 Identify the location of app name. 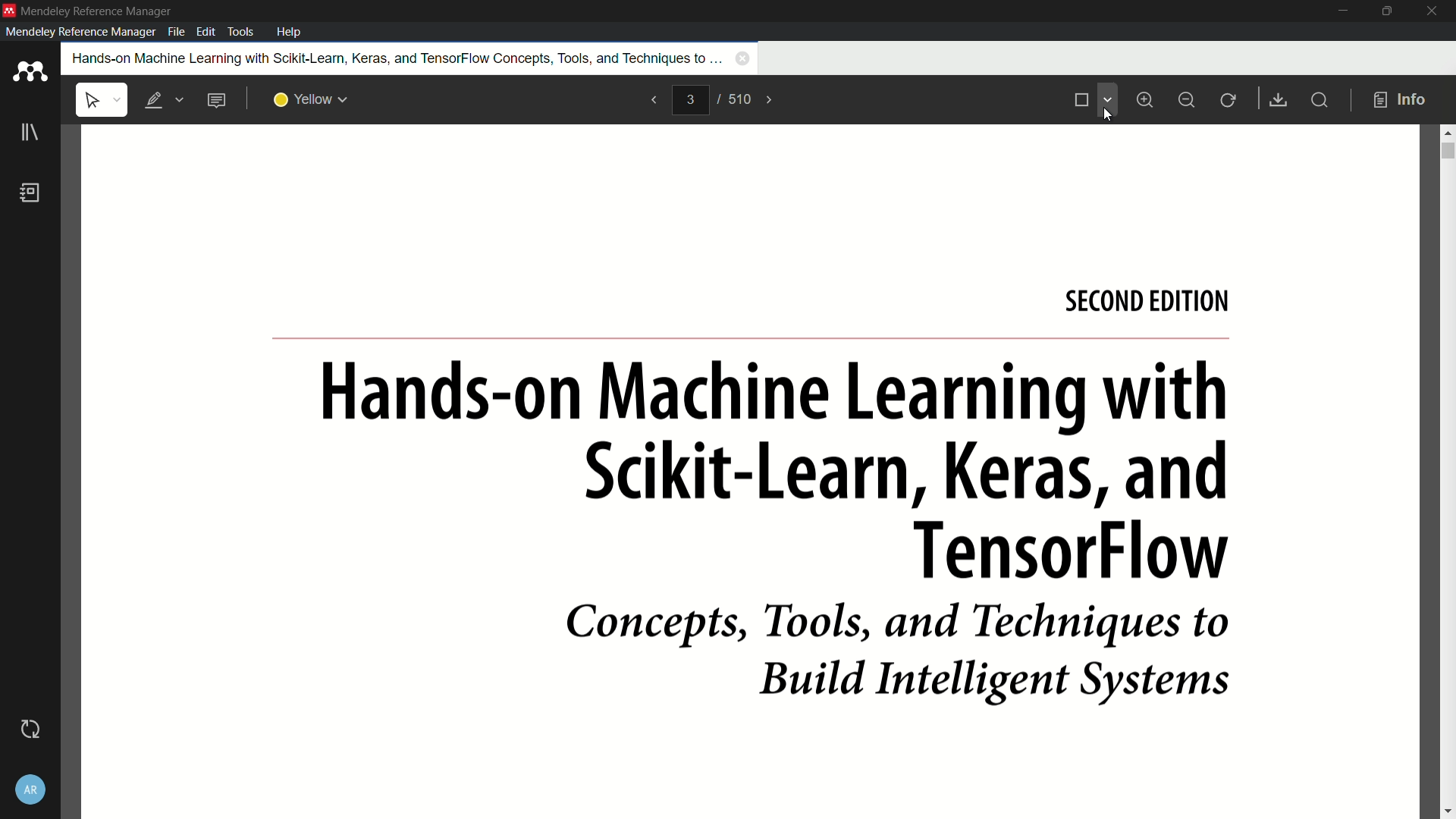
(96, 9).